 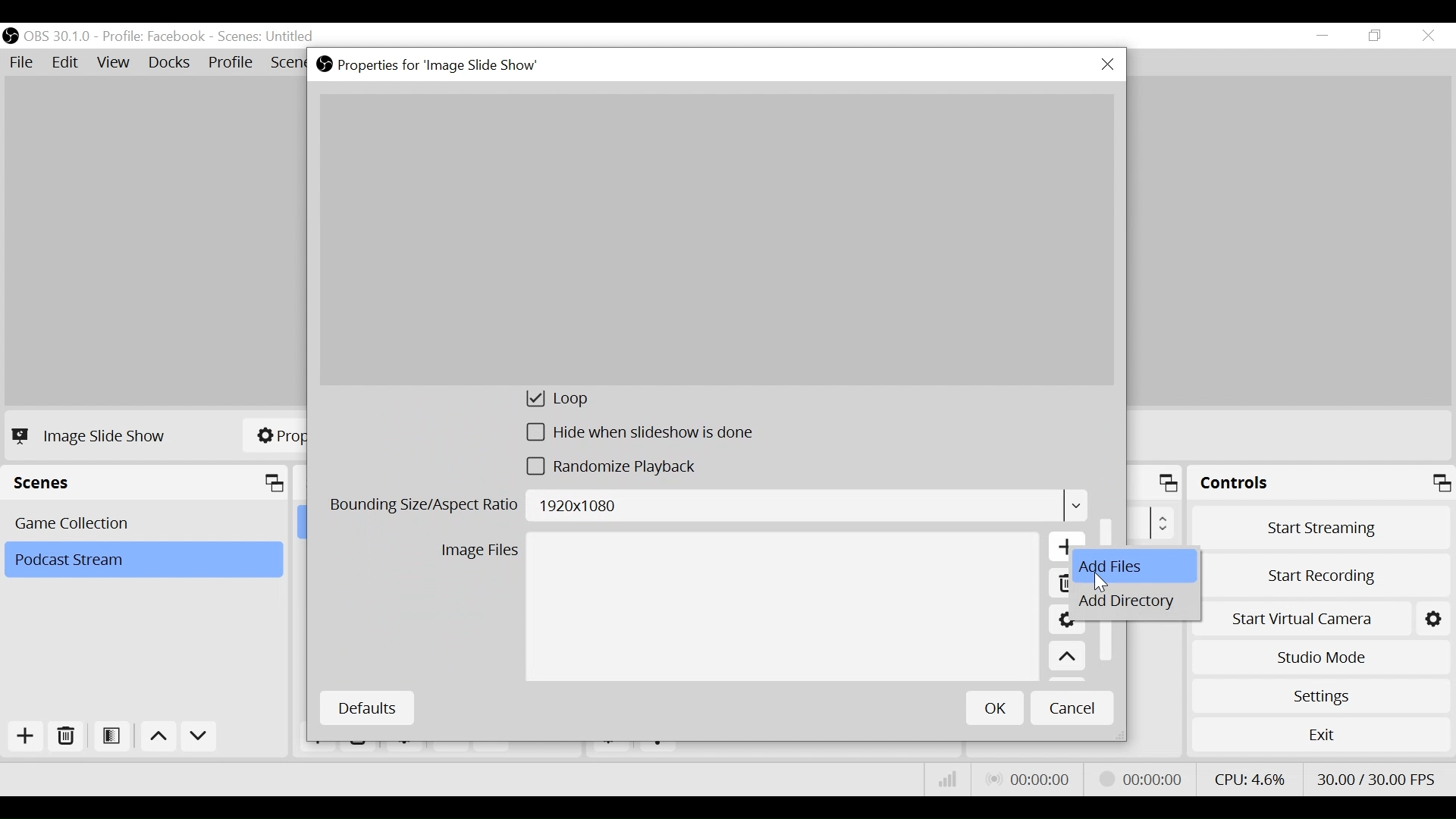 What do you see at coordinates (11, 36) in the screenshot?
I see `OBS Desktop Icon` at bounding box center [11, 36].